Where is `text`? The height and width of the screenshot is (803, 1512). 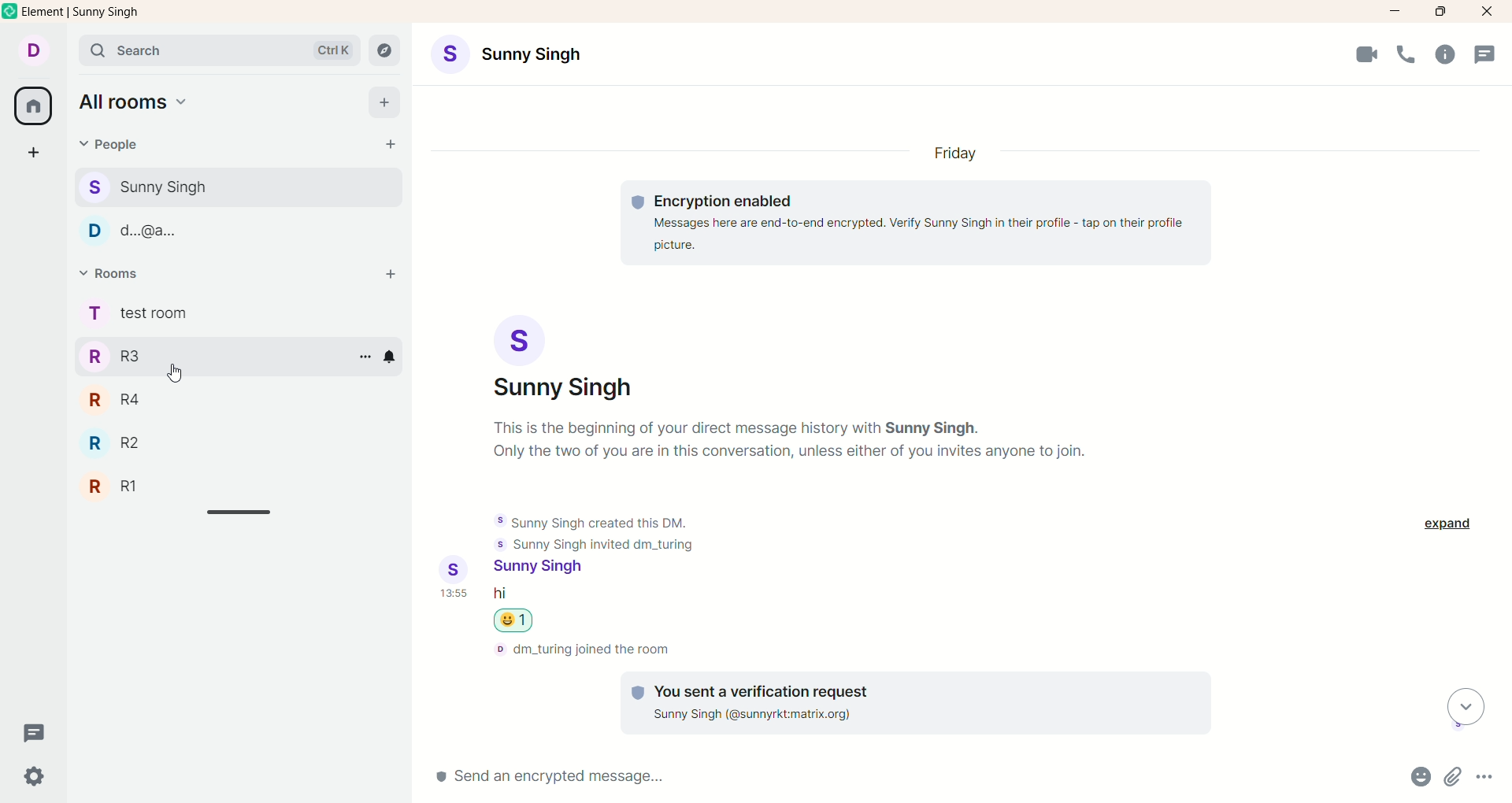 text is located at coordinates (916, 220).